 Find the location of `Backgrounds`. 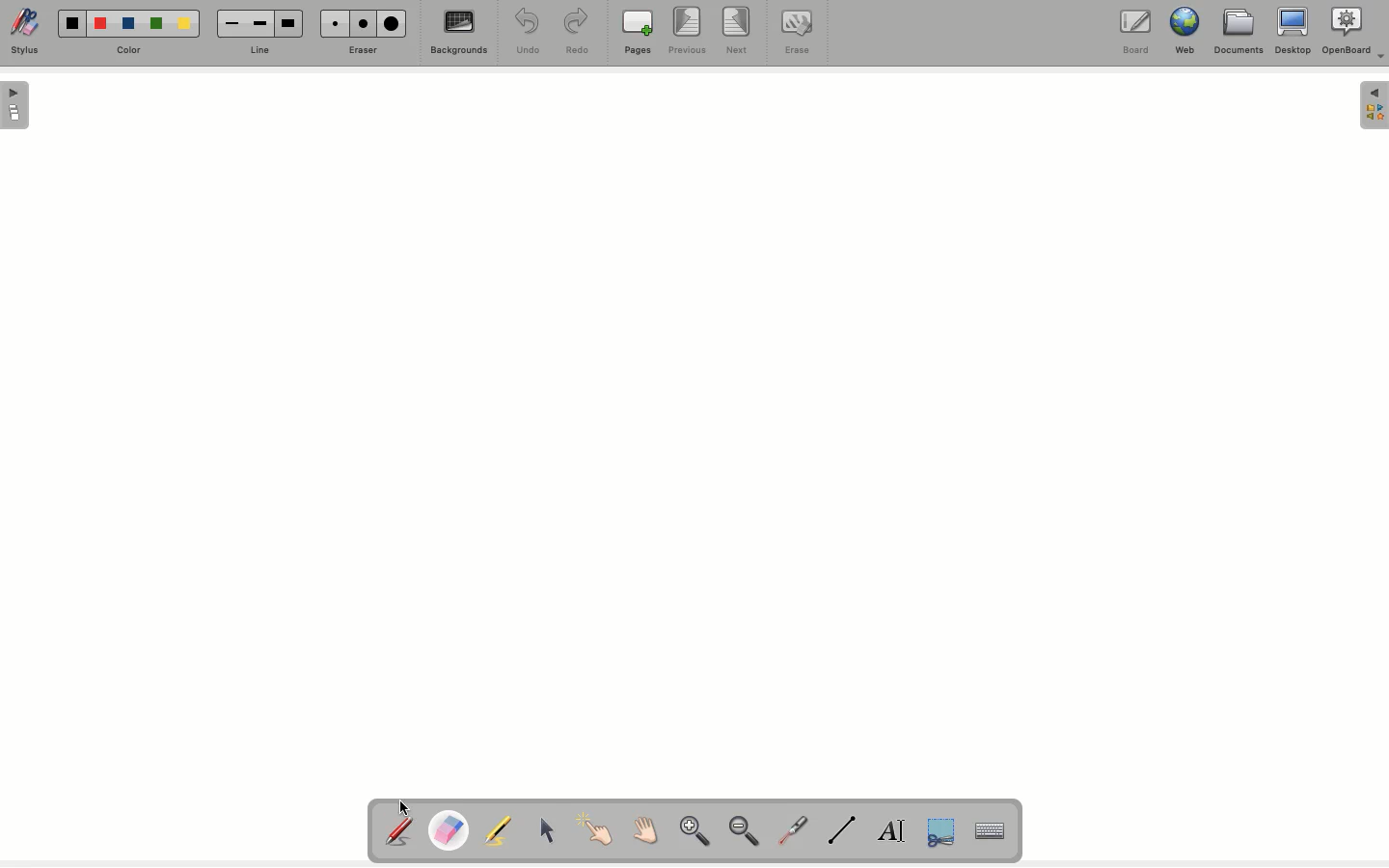

Backgrounds is located at coordinates (460, 36).